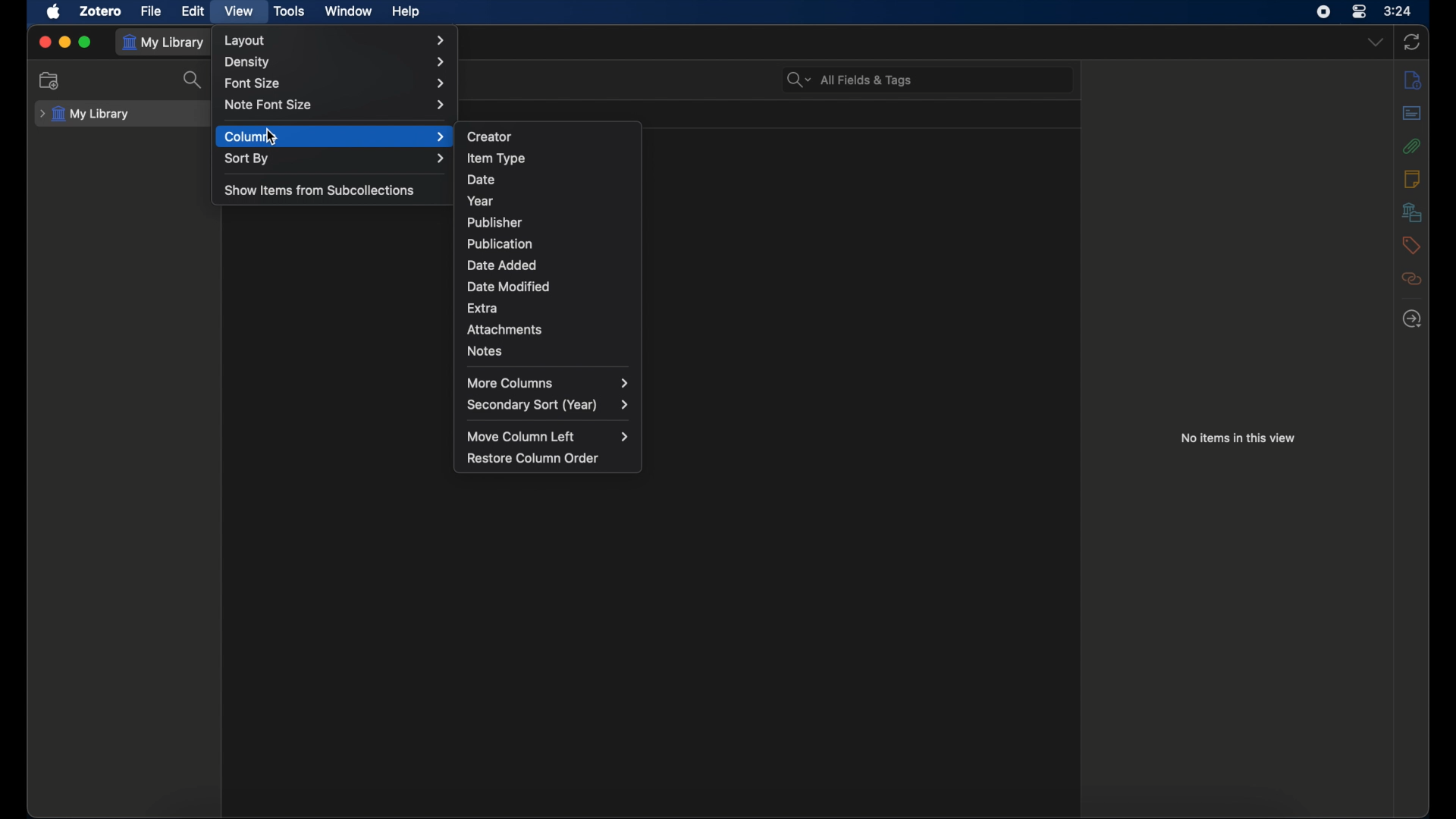 The height and width of the screenshot is (819, 1456). Describe the element at coordinates (349, 10) in the screenshot. I see `window` at that location.